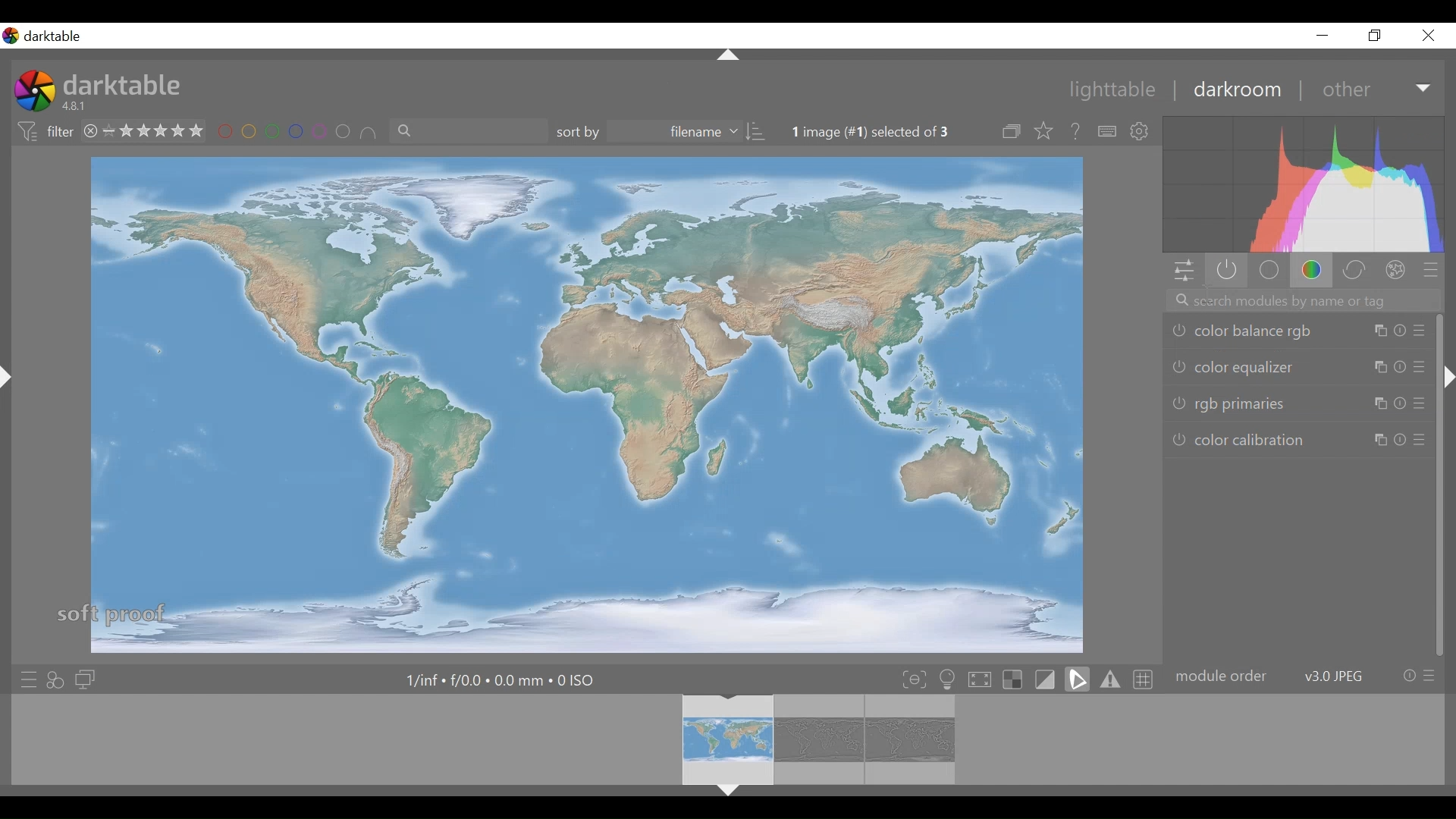 This screenshot has height=819, width=1456. Describe the element at coordinates (1184, 271) in the screenshot. I see `quick acces panel` at that location.